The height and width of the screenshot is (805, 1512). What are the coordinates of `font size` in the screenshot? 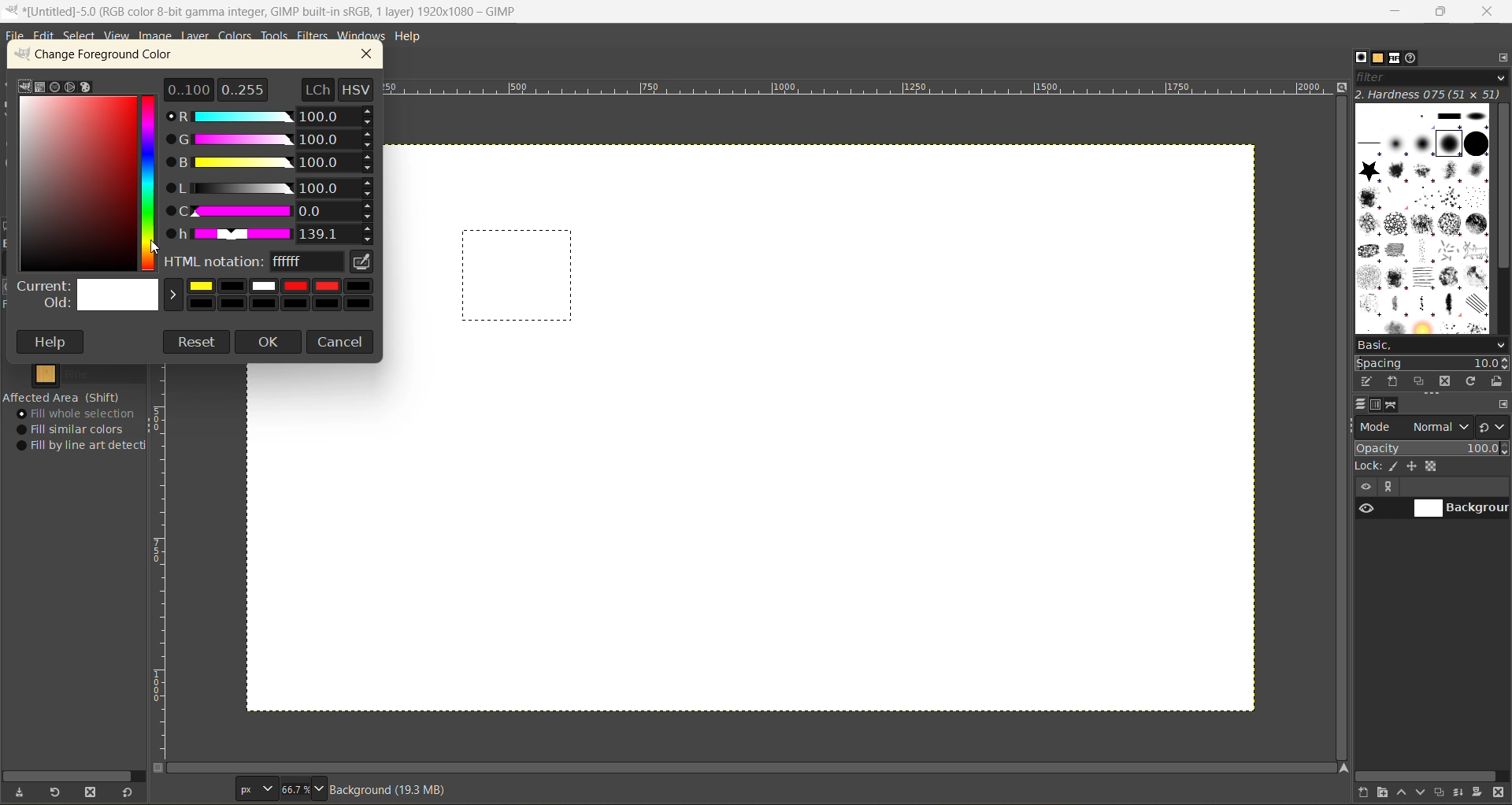 It's located at (281, 788).